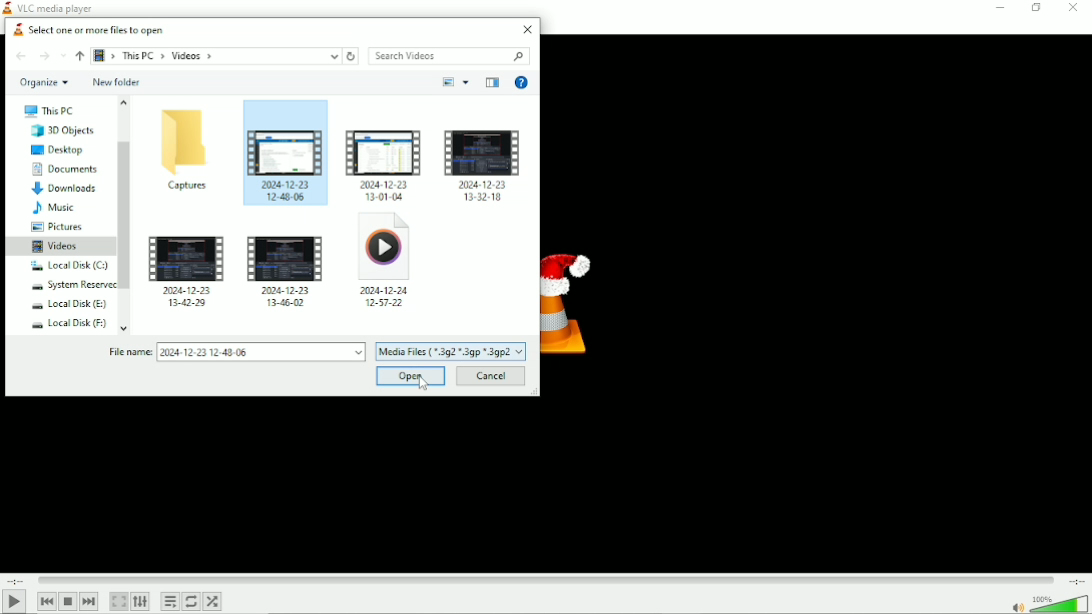 This screenshot has height=614, width=1092. Describe the element at coordinates (491, 82) in the screenshot. I see `show Previous pane` at that location.